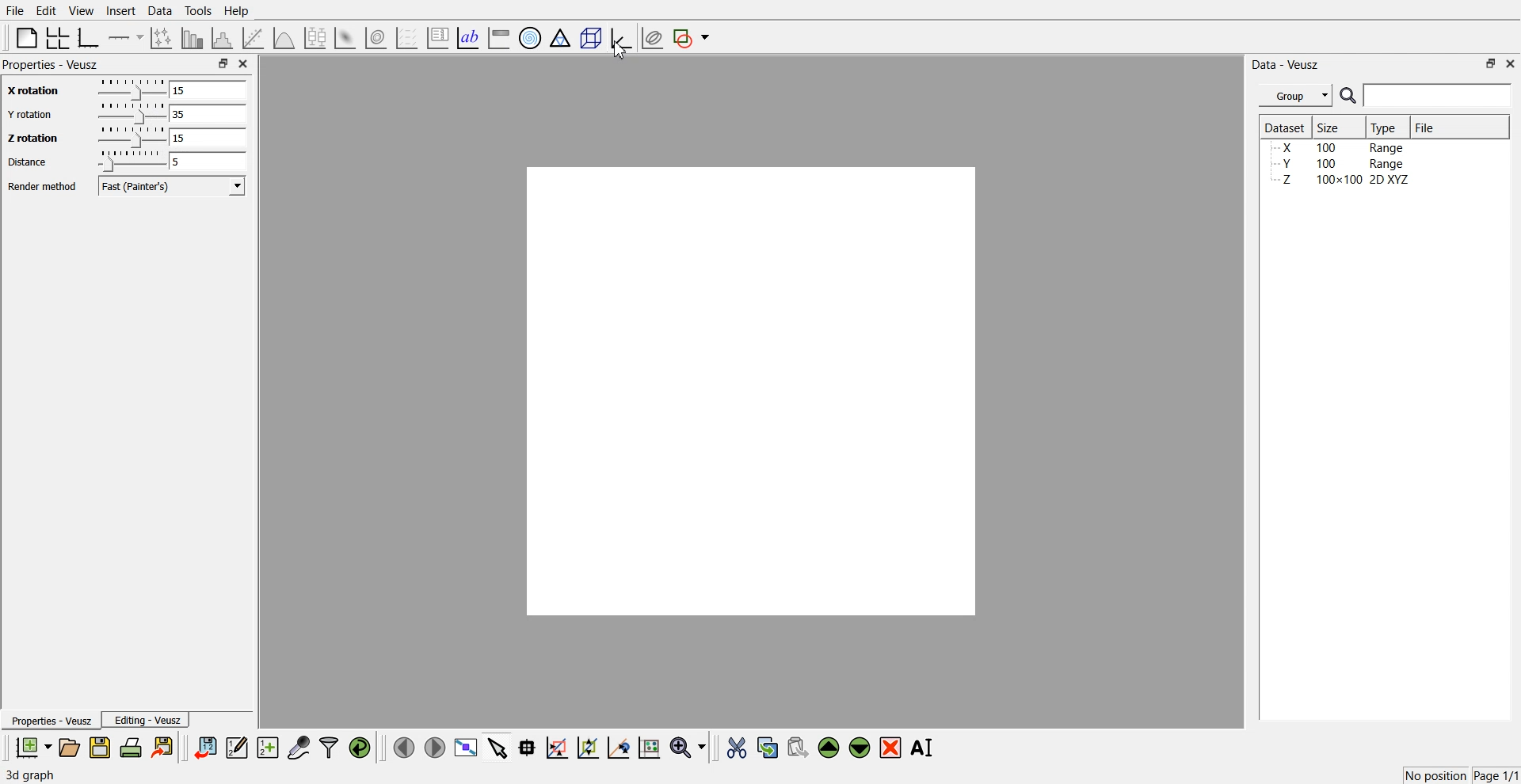 The height and width of the screenshot is (784, 1521). I want to click on 5, so click(208, 162).